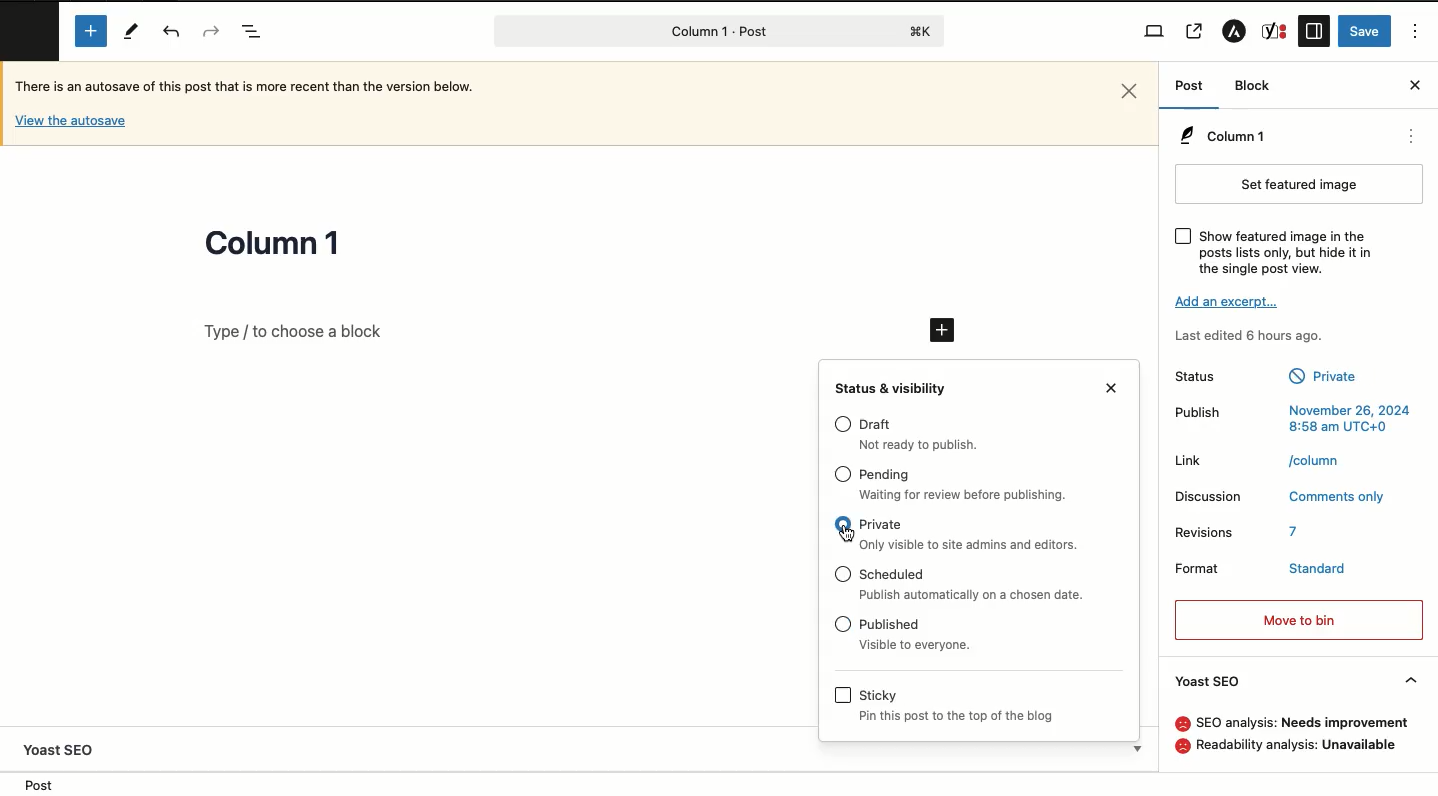  What do you see at coordinates (1297, 682) in the screenshot?
I see `Yoast SEO` at bounding box center [1297, 682].